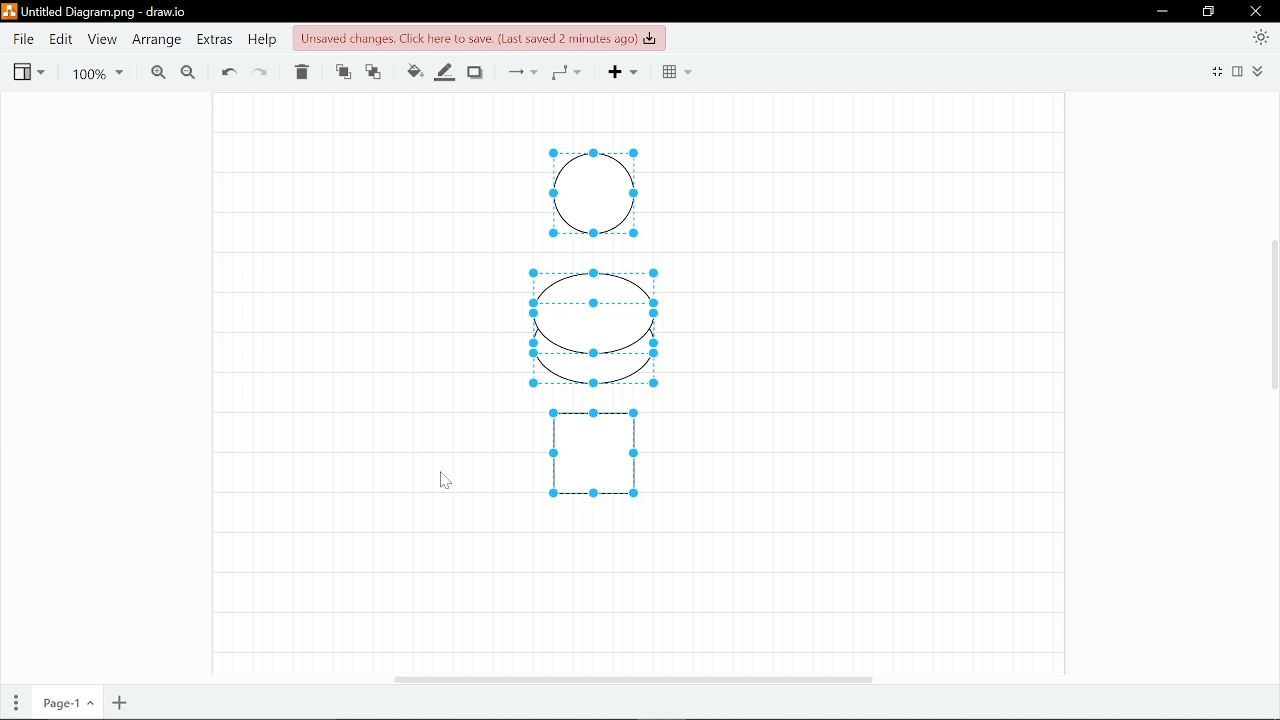  What do you see at coordinates (477, 72) in the screenshot?
I see `Shadow` at bounding box center [477, 72].